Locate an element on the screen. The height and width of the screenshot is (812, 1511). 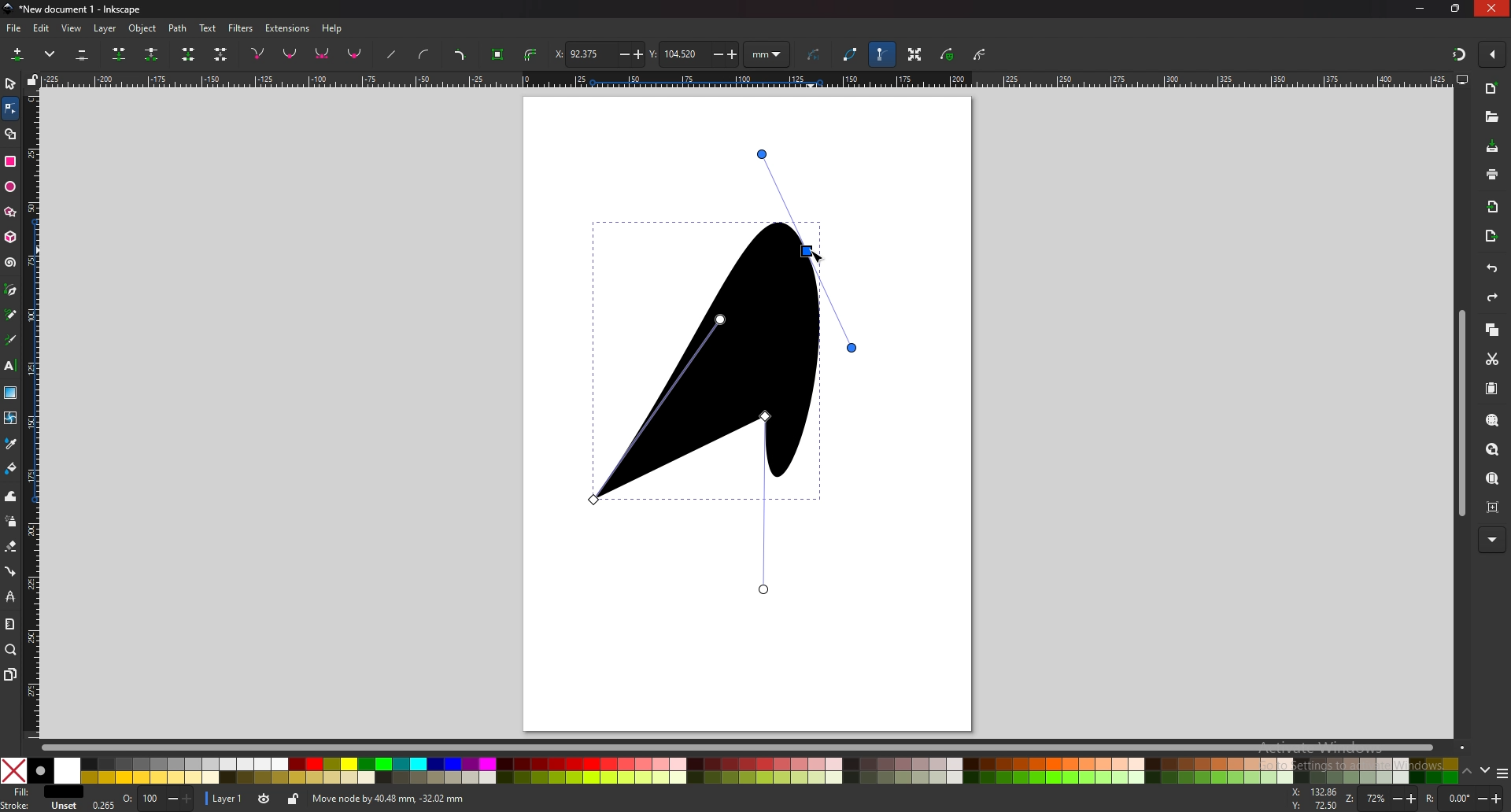
undo is located at coordinates (1492, 269).